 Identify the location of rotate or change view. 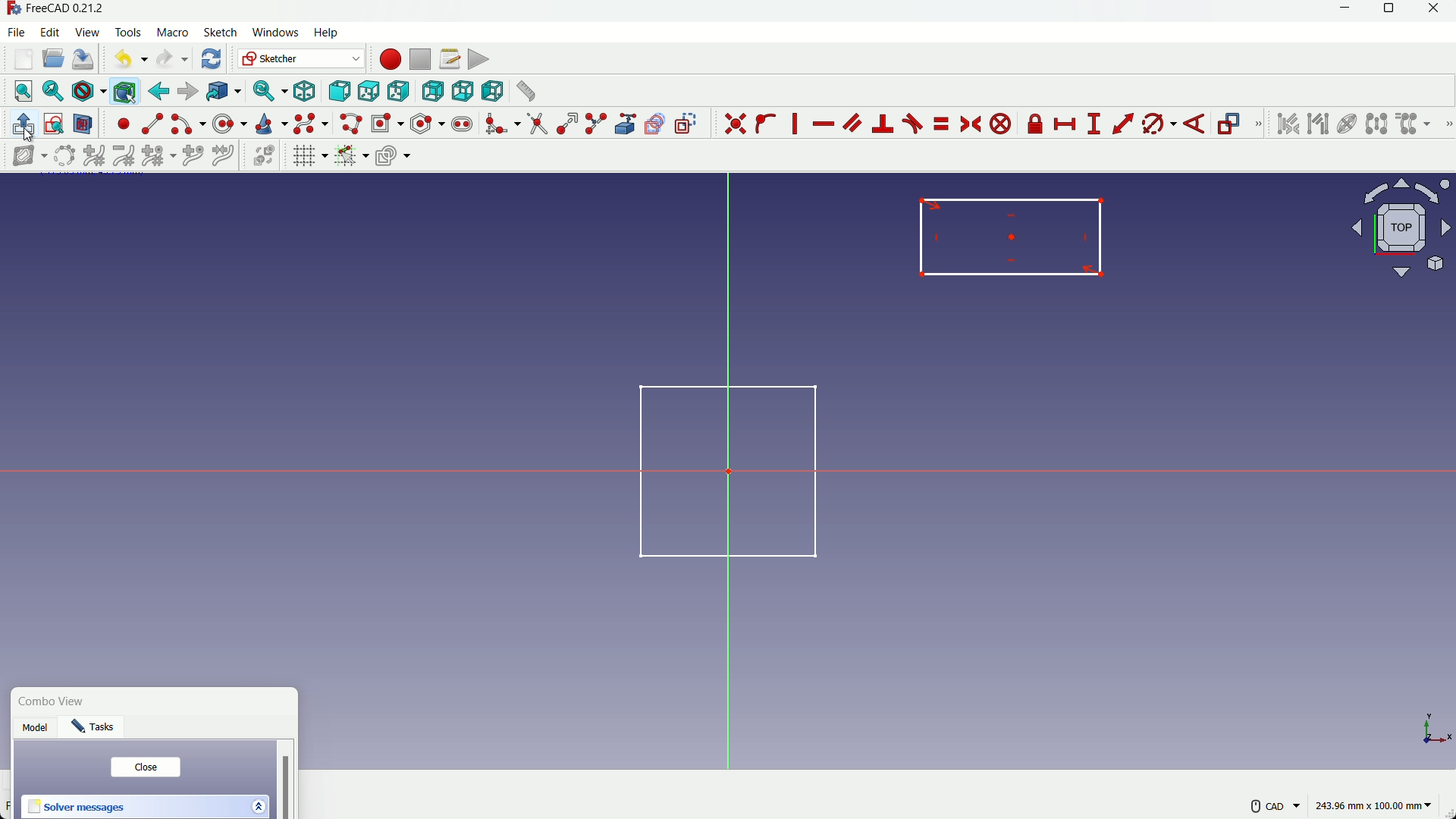
(1402, 227).